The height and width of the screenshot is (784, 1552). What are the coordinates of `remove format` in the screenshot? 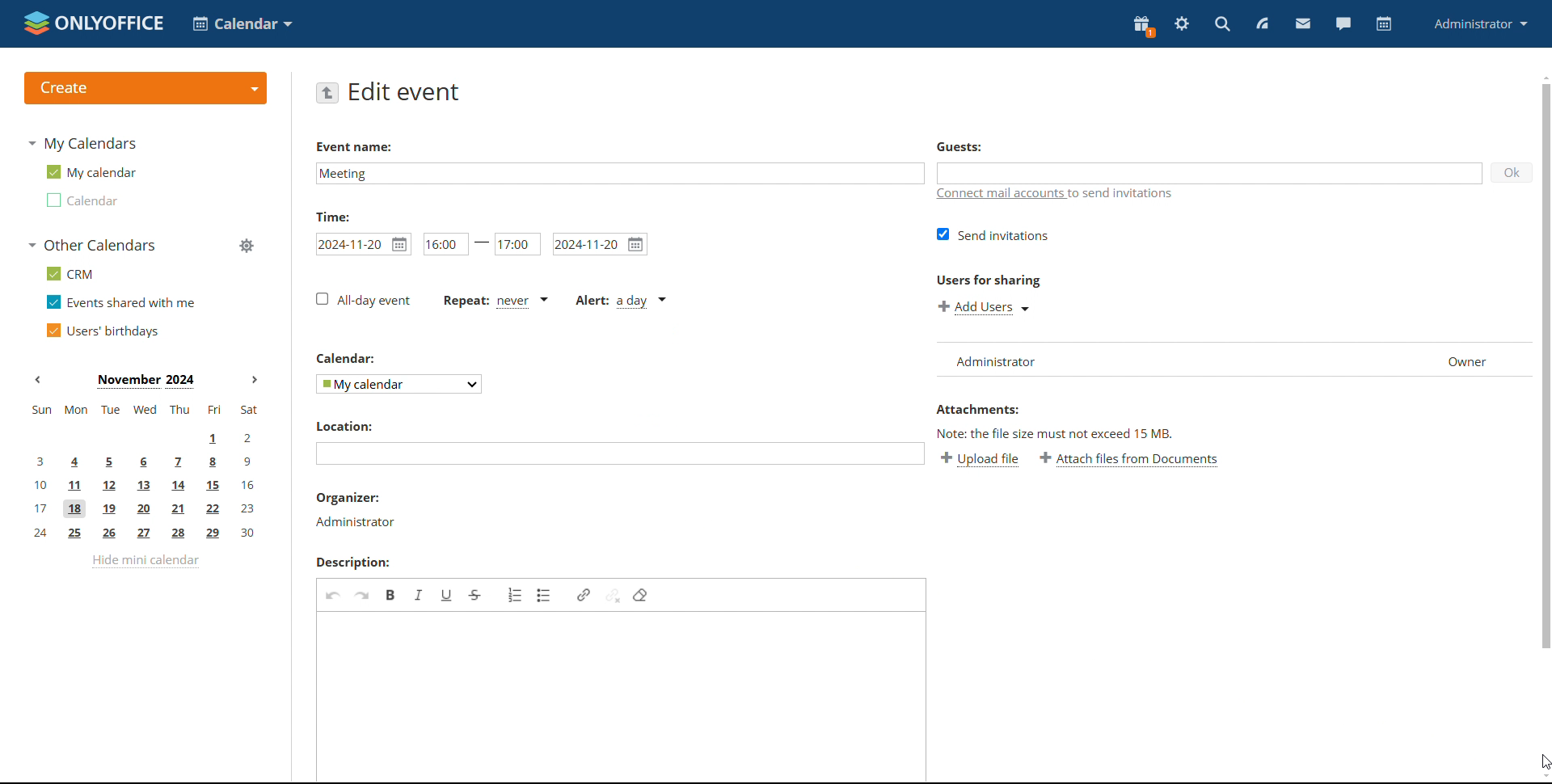 It's located at (640, 596).